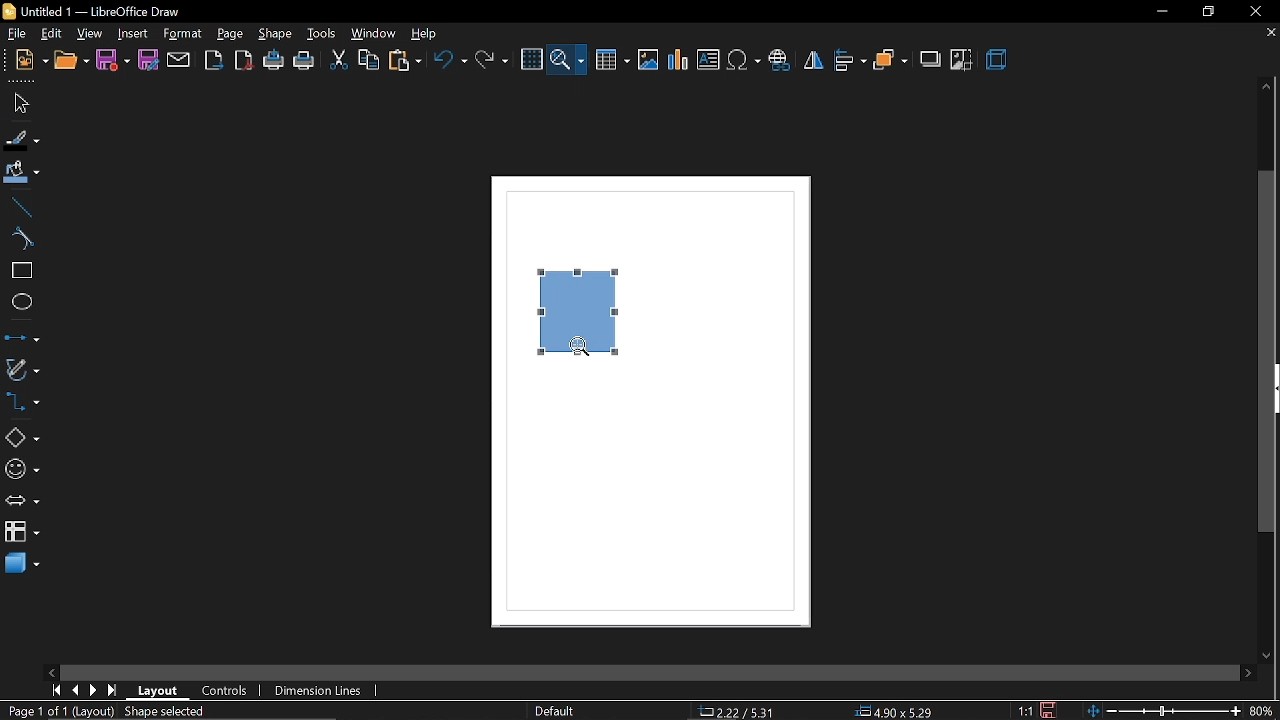  What do you see at coordinates (578, 346) in the screenshot?
I see `zoom tool` at bounding box center [578, 346].